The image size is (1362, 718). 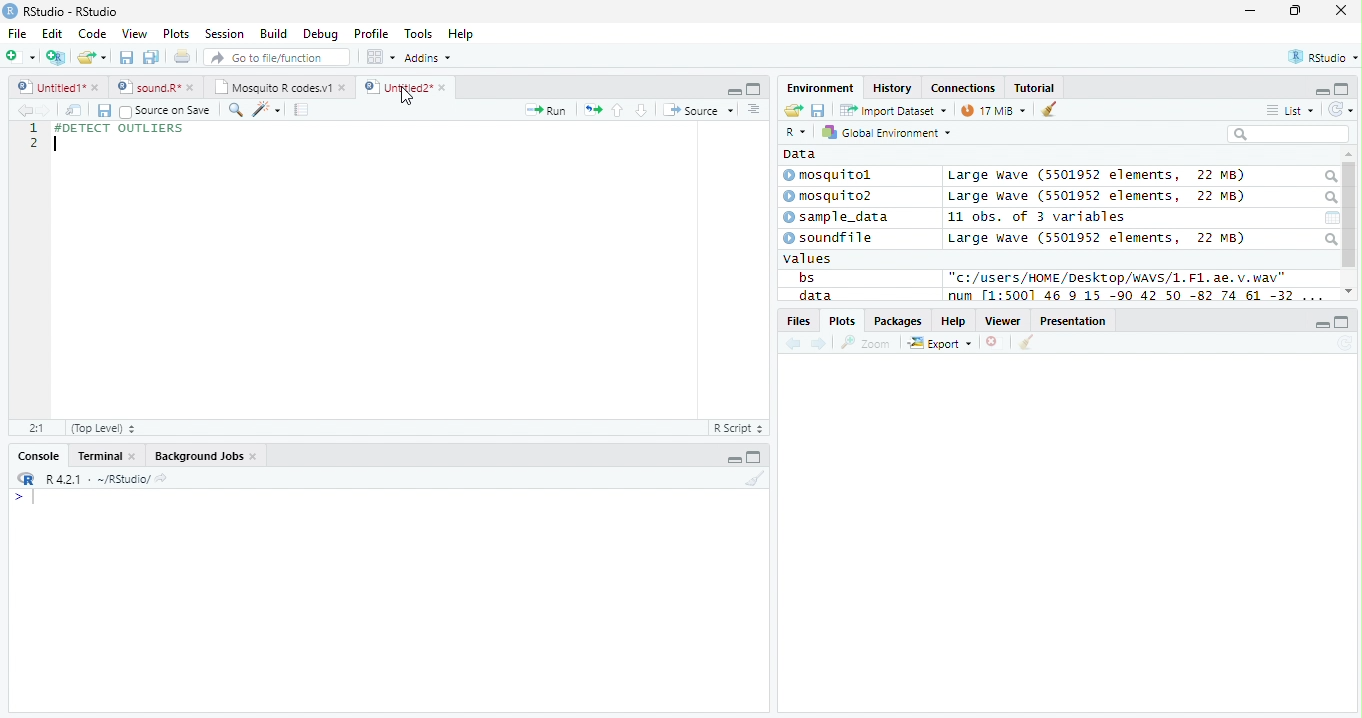 I want to click on Help, so click(x=463, y=34).